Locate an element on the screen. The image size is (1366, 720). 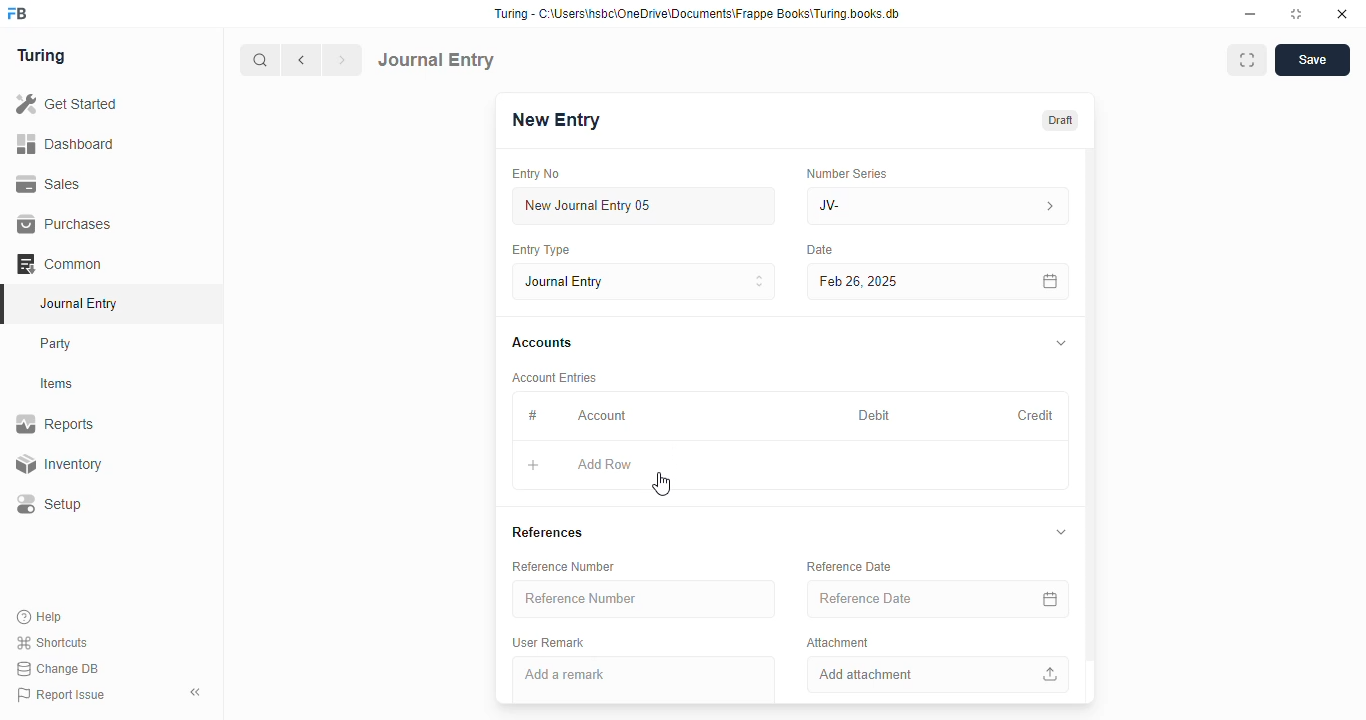
Date is located at coordinates (821, 250).